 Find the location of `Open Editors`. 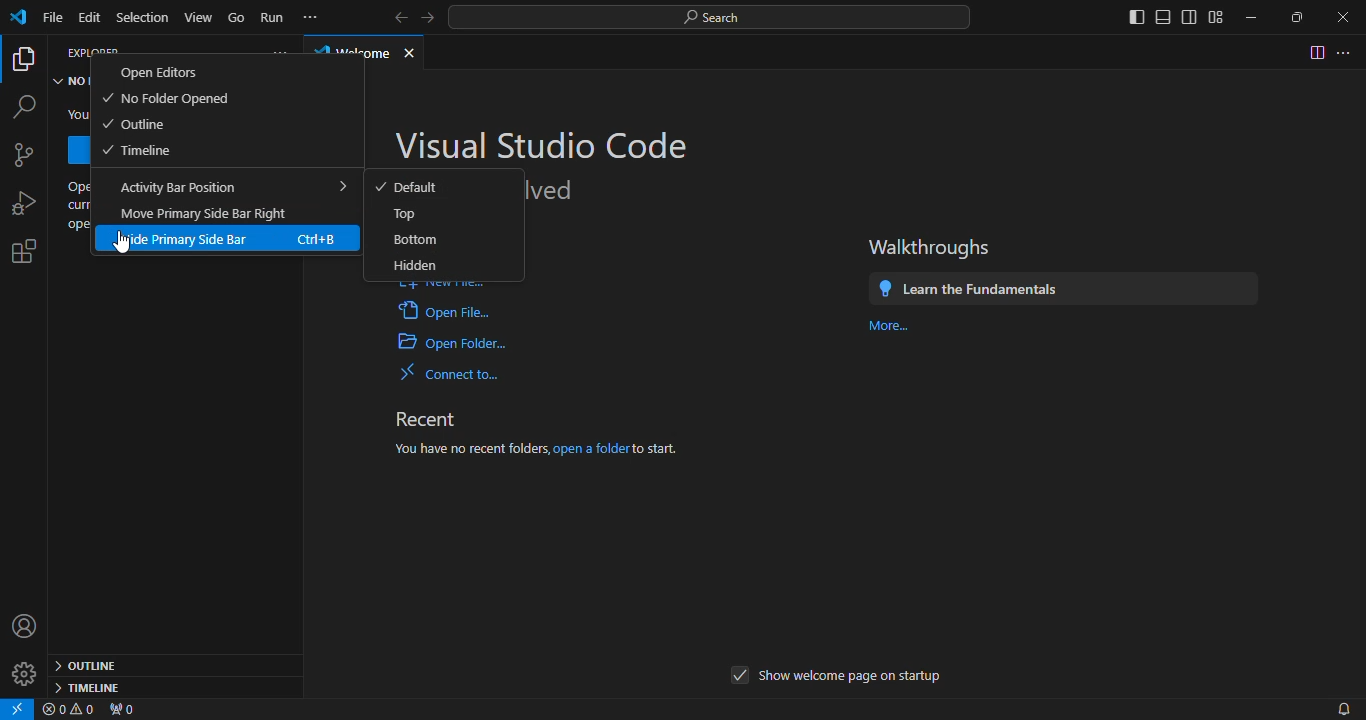

Open Editors is located at coordinates (160, 72).